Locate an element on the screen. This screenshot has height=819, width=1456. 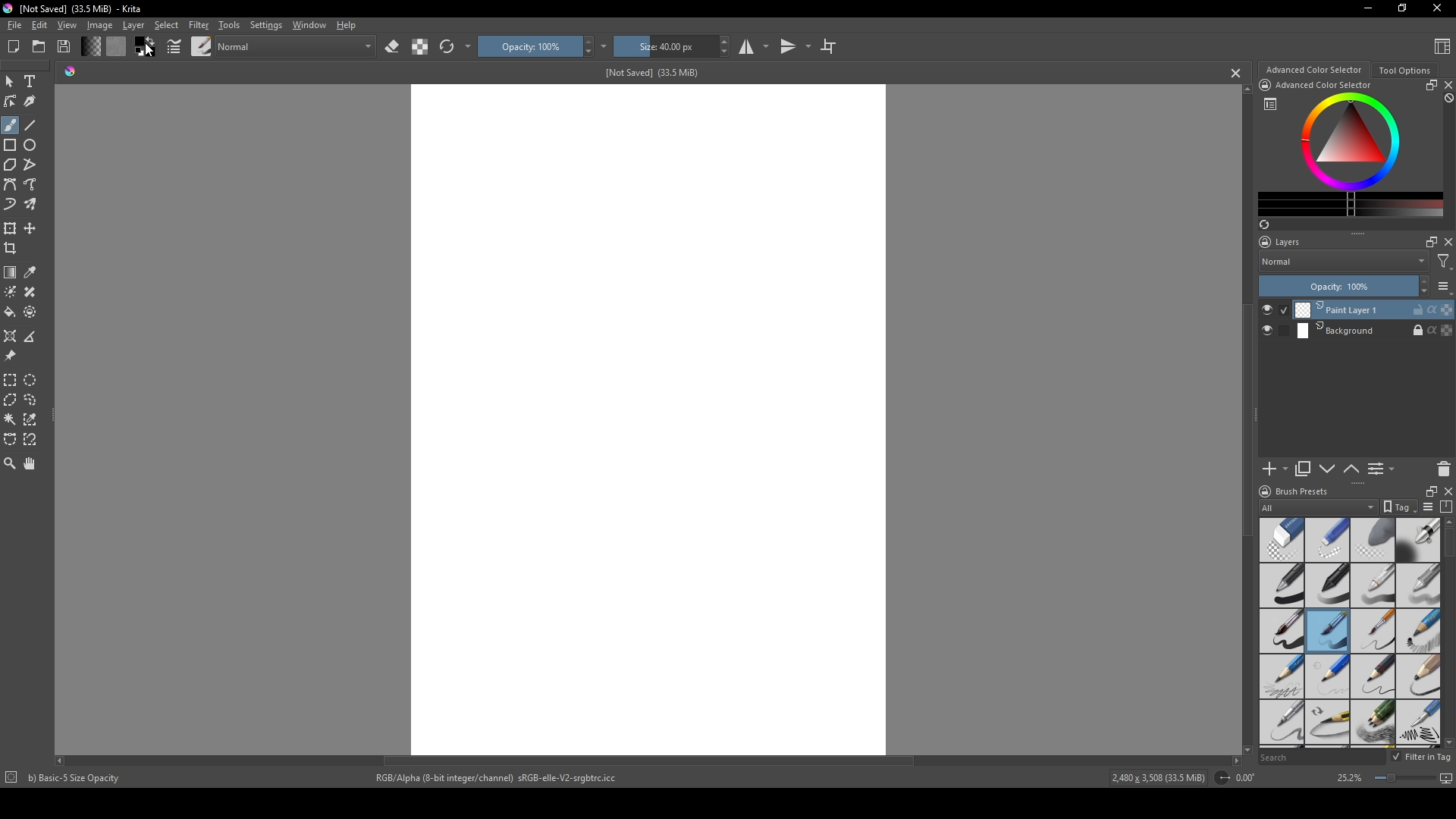
medium brush is located at coordinates (1327, 631).